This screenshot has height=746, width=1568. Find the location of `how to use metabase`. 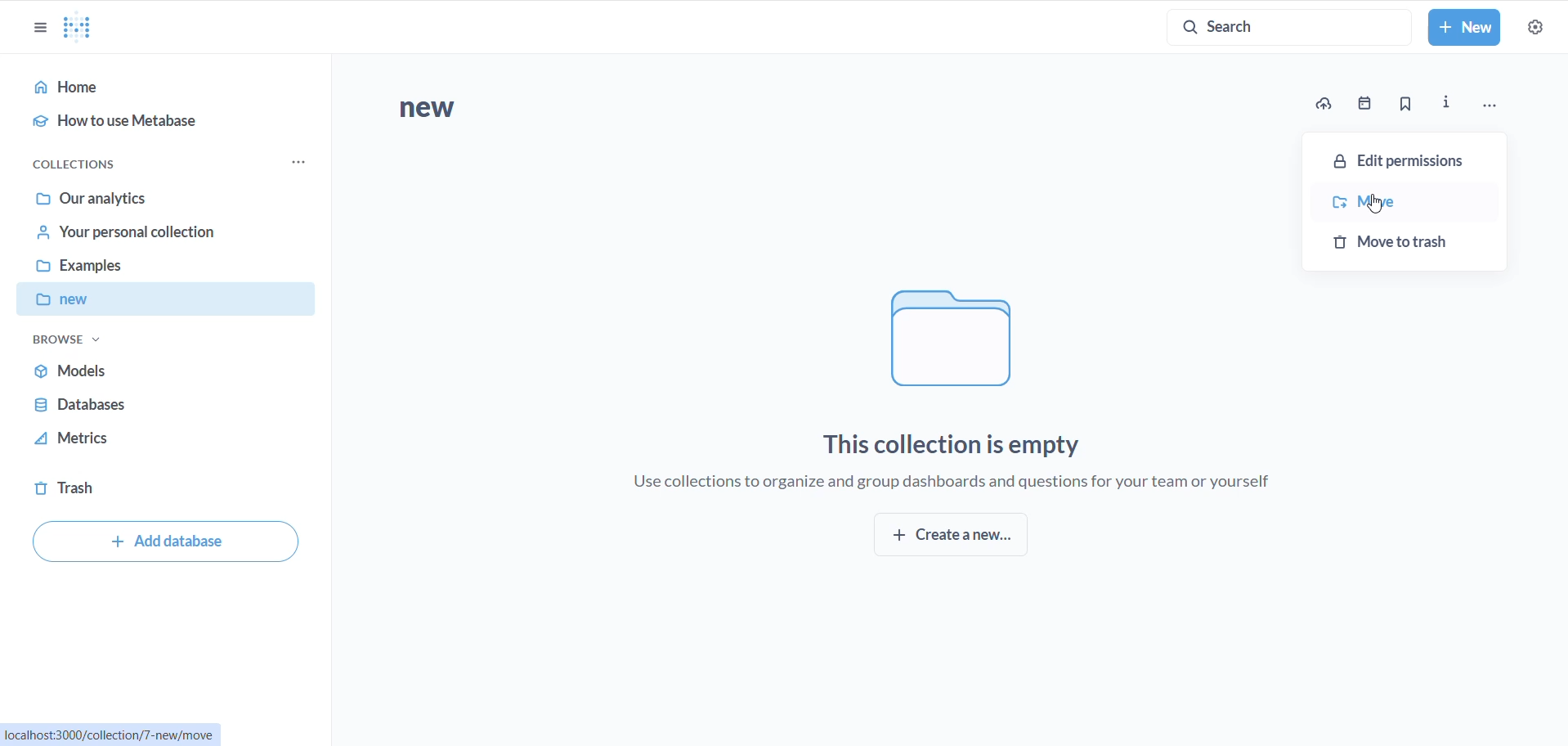

how to use metabase is located at coordinates (155, 125).